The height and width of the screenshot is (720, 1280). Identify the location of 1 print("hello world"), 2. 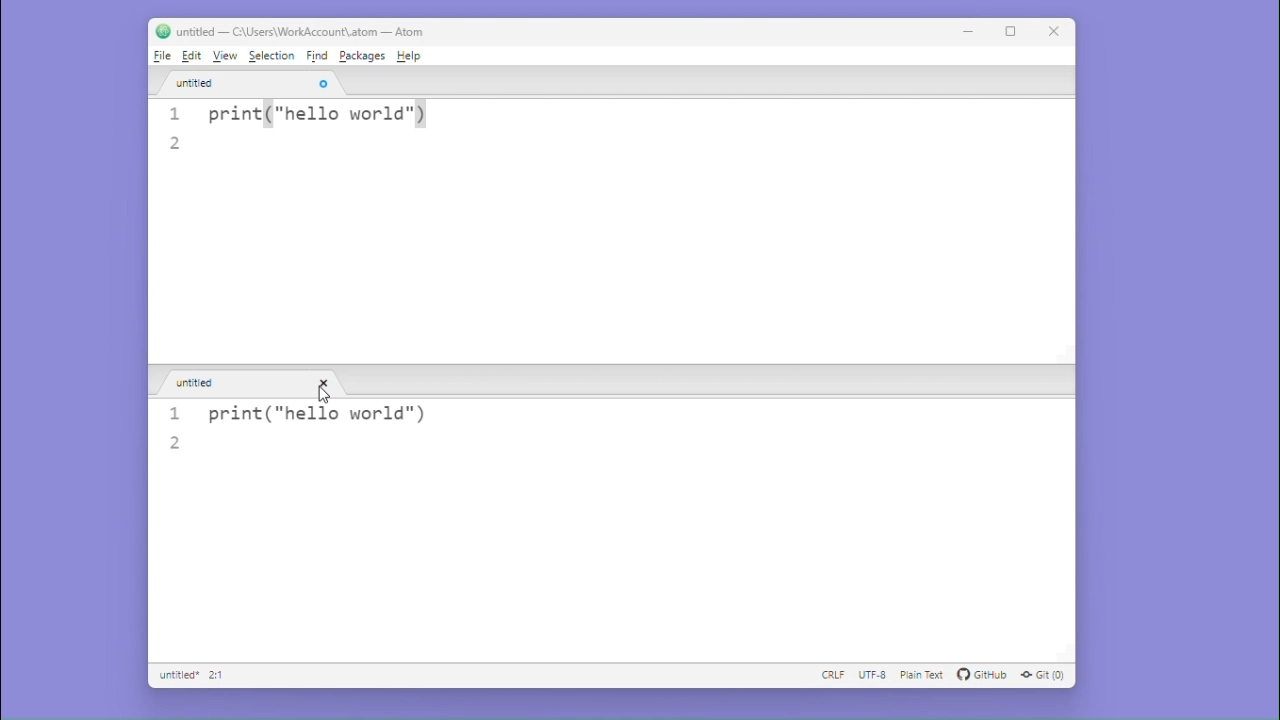
(293, 429).